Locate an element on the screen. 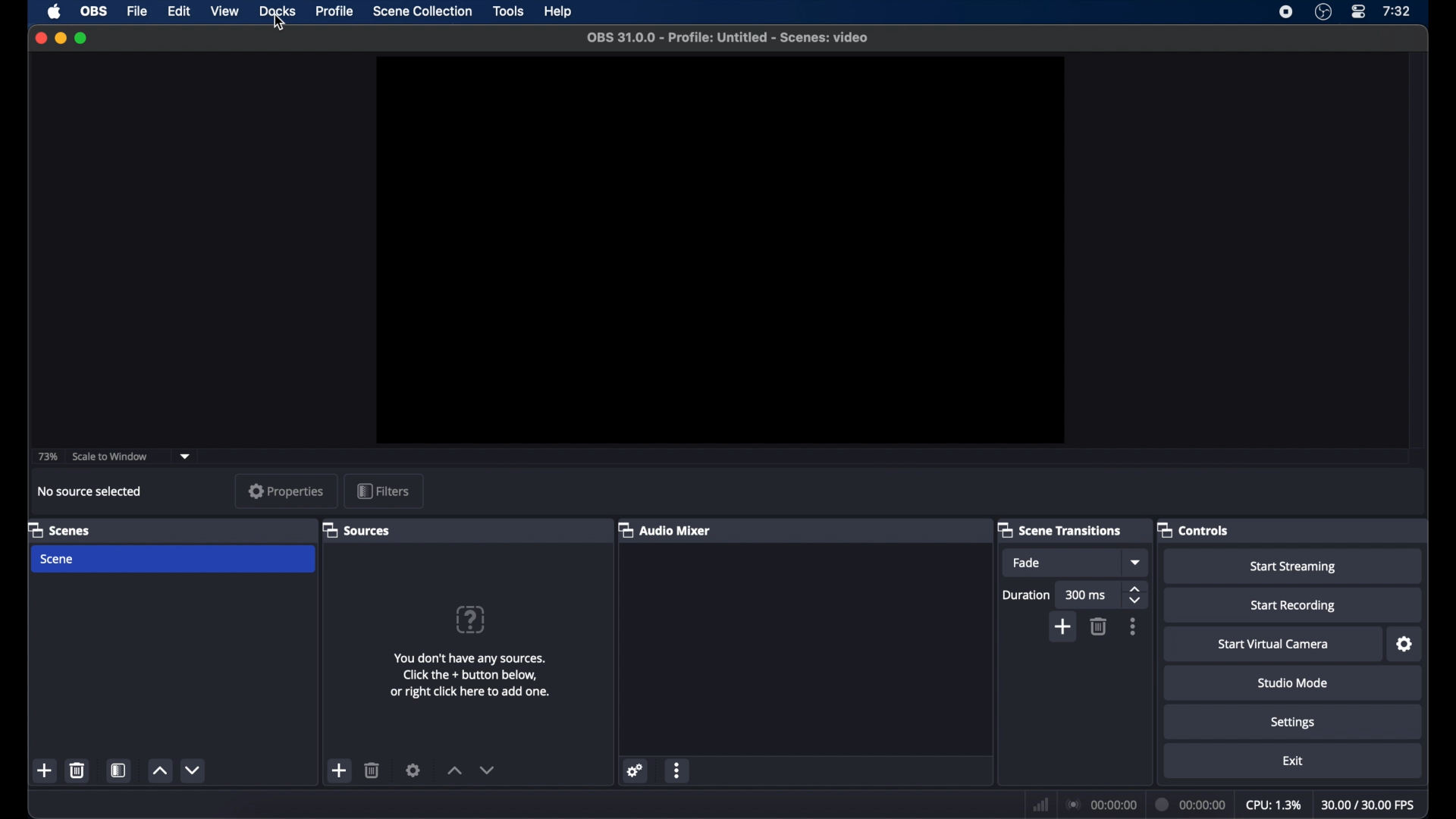 The image size is (1456, 819). add is located at coordinates (45, 770).